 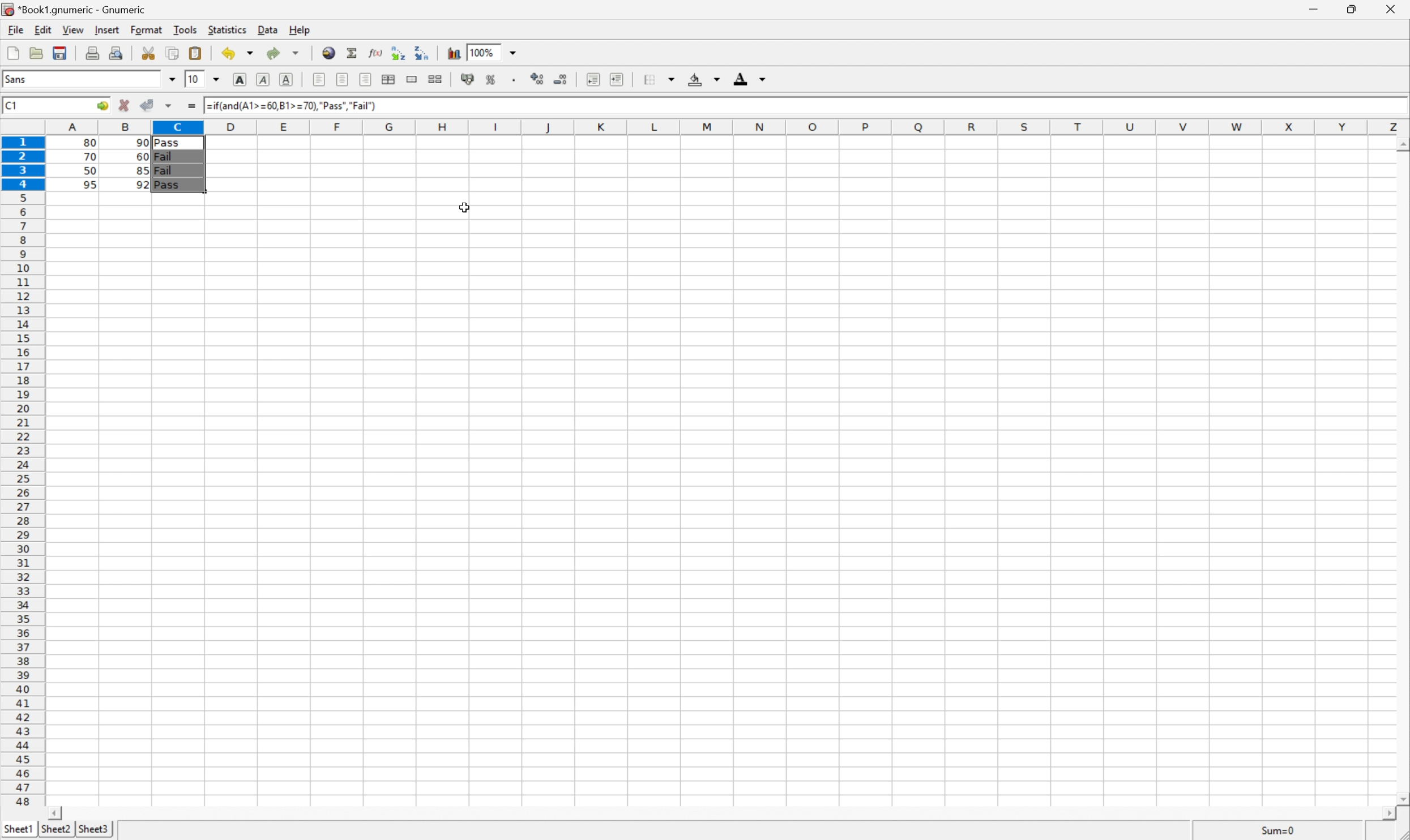 I want to click on Sheet2, so click(x=55, y=829).